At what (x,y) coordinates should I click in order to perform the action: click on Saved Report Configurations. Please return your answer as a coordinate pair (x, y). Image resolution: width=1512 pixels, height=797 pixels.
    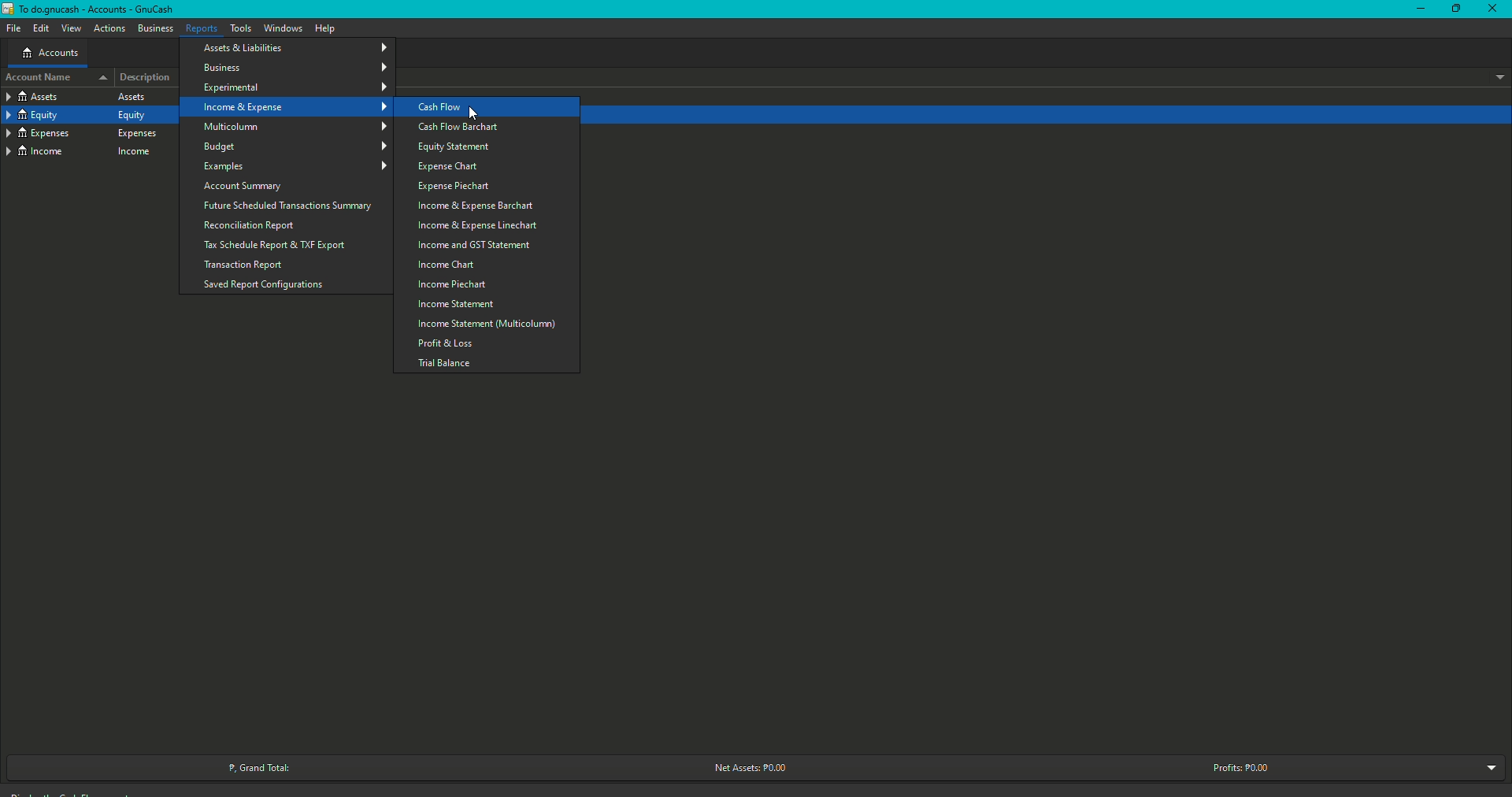
    Looking at the image, I should click on (266, 284).